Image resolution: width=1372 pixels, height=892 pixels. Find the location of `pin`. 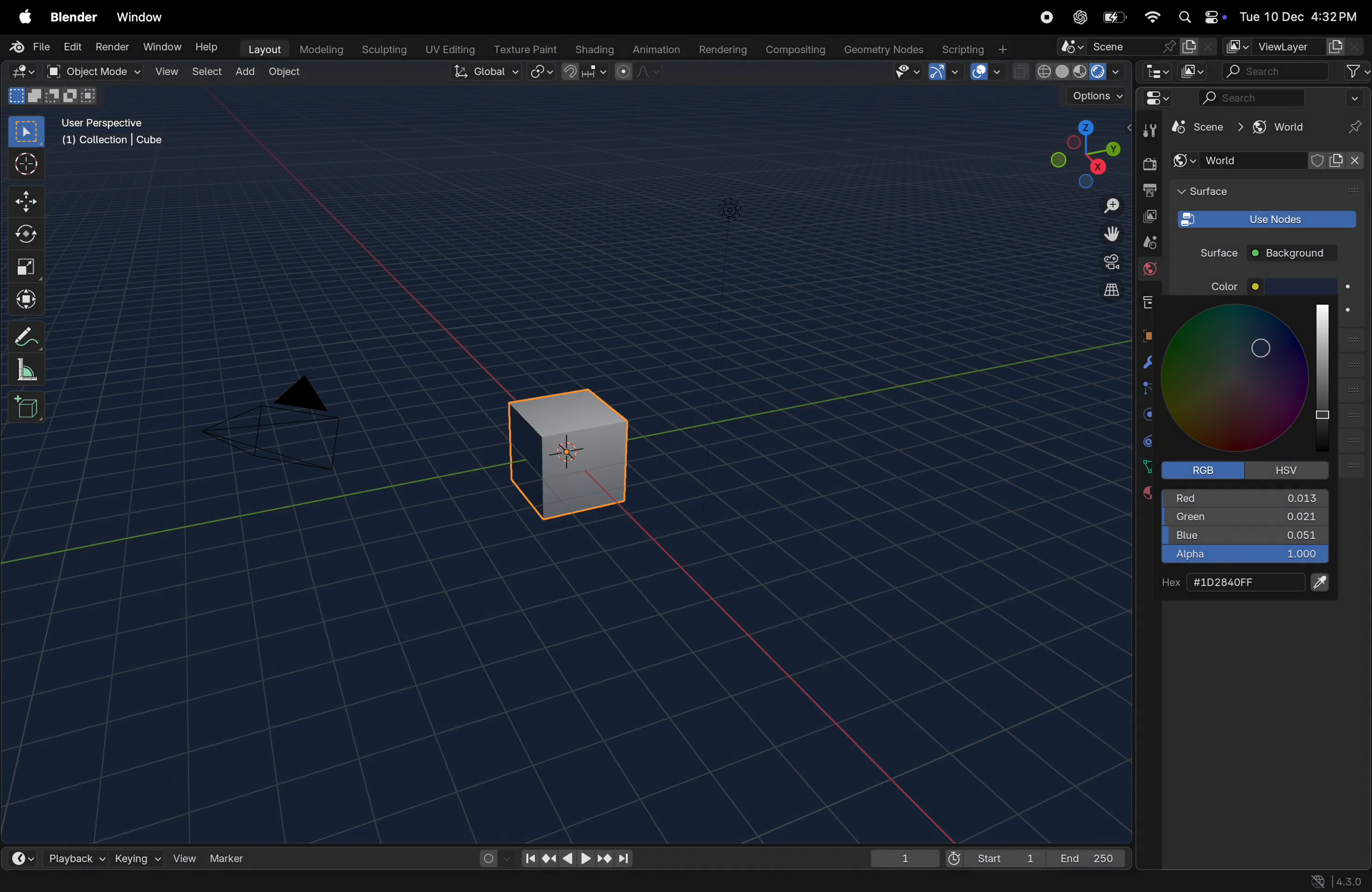

pin is located at coordinates (1356, 127).